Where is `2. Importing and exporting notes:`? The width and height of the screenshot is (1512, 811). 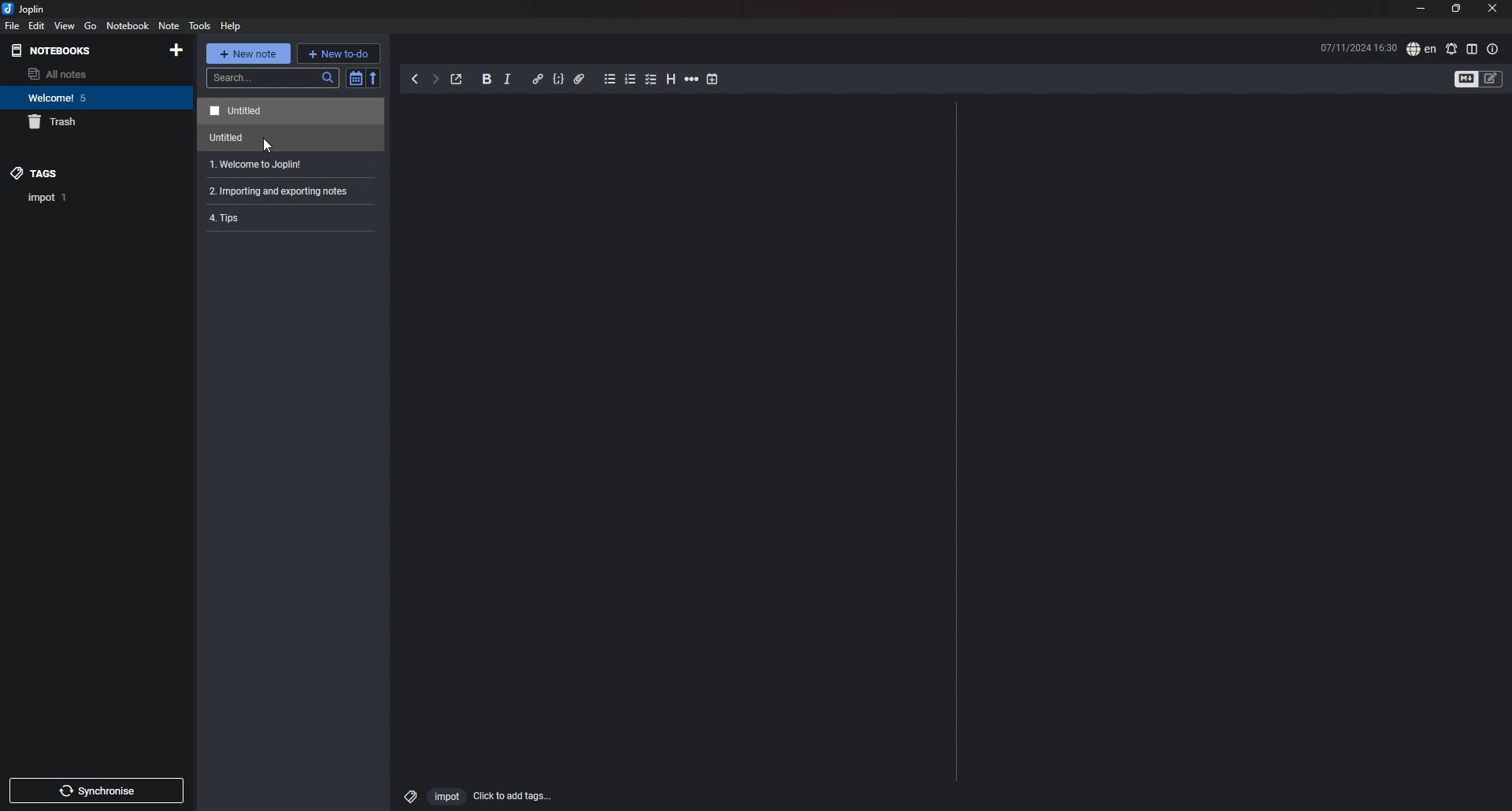
2. Importing and exporting notes: is located at coordinates (293, 192).